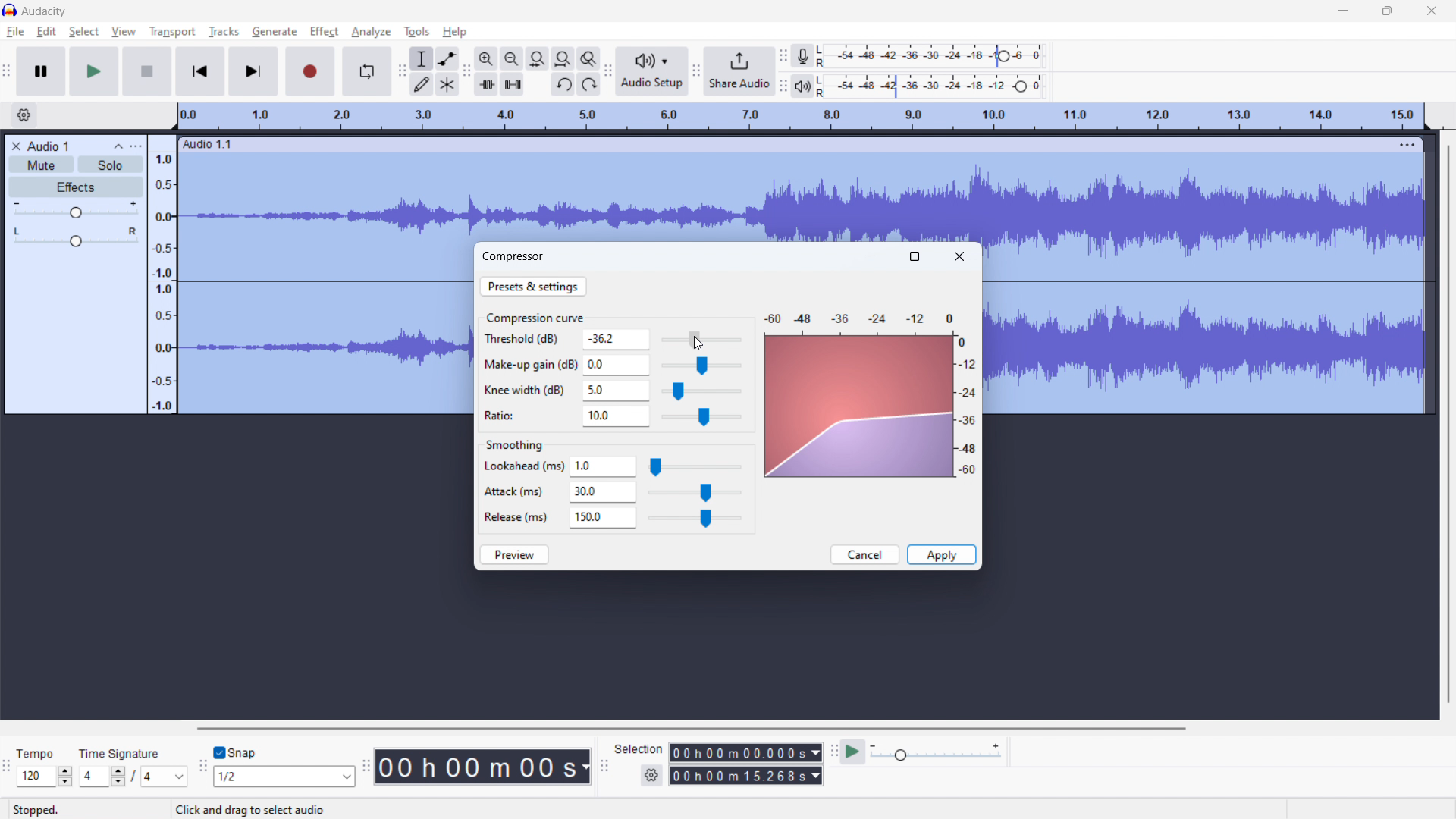  What do you see at coordinates (853, 752) in the screenshot?
I see `play at speed` at bounding box center [853, 752].